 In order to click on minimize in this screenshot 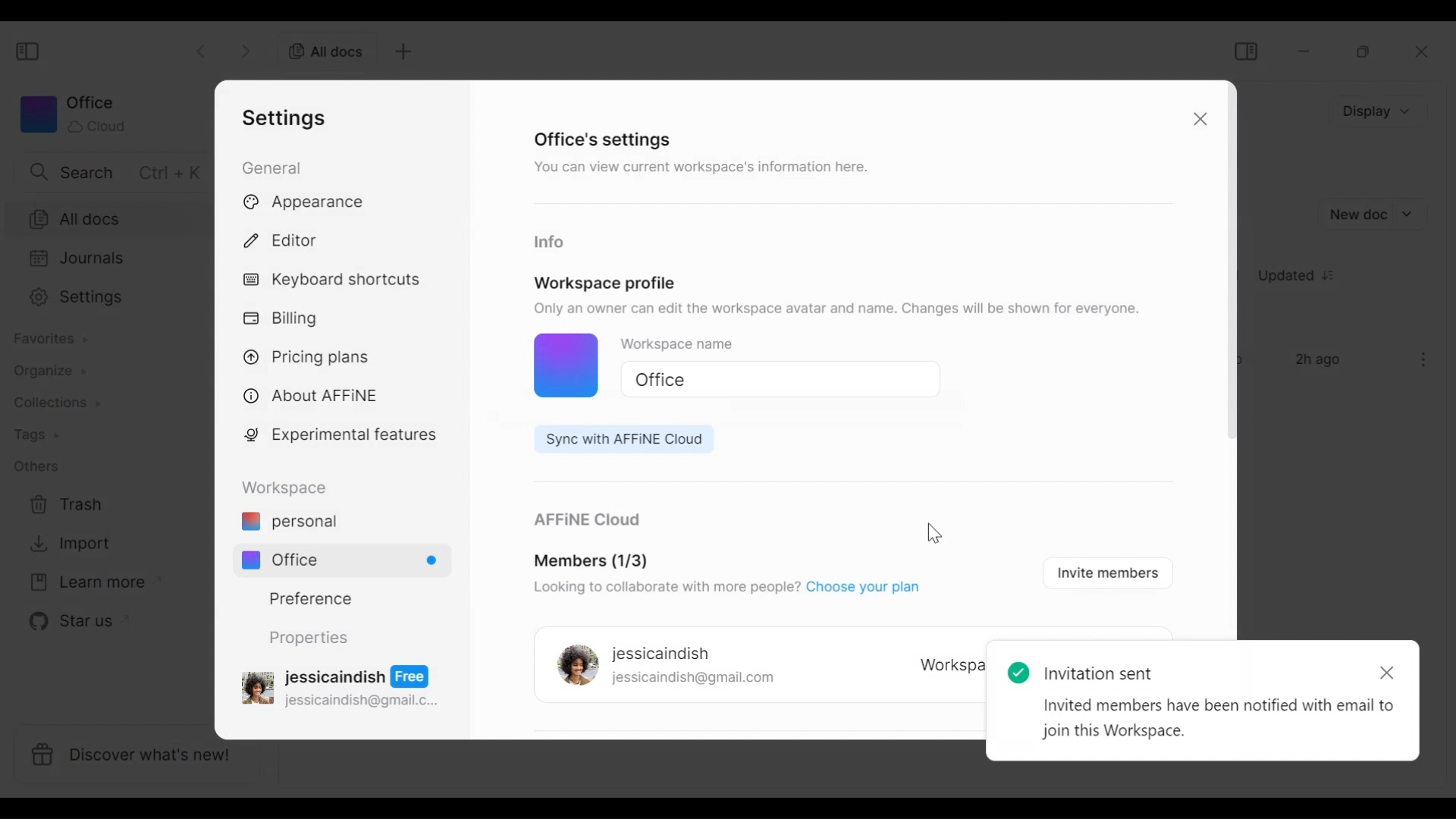, I will do `click(1307, 51)`.